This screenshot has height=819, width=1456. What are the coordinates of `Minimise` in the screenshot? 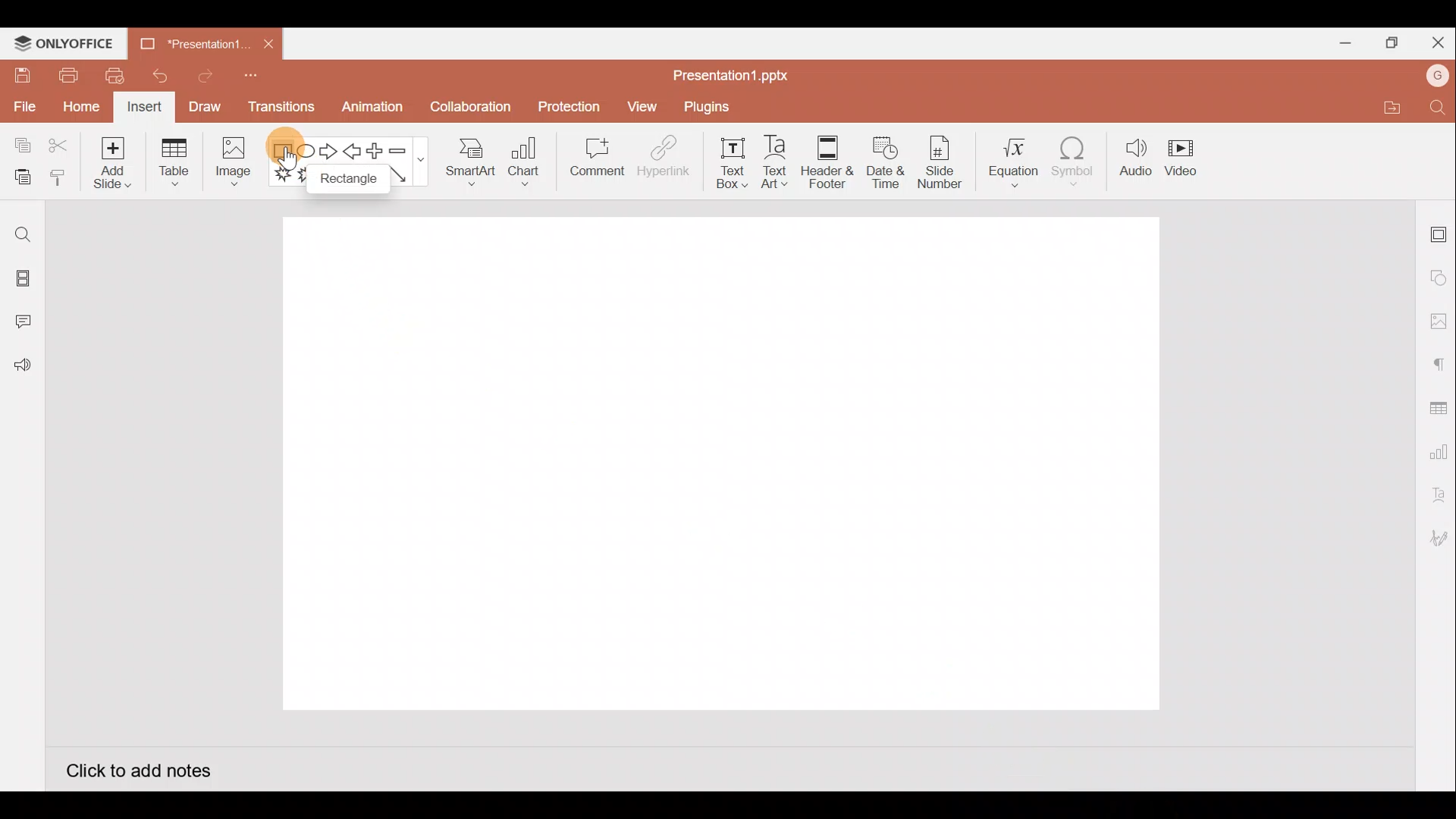 It's located at (1339, 40).